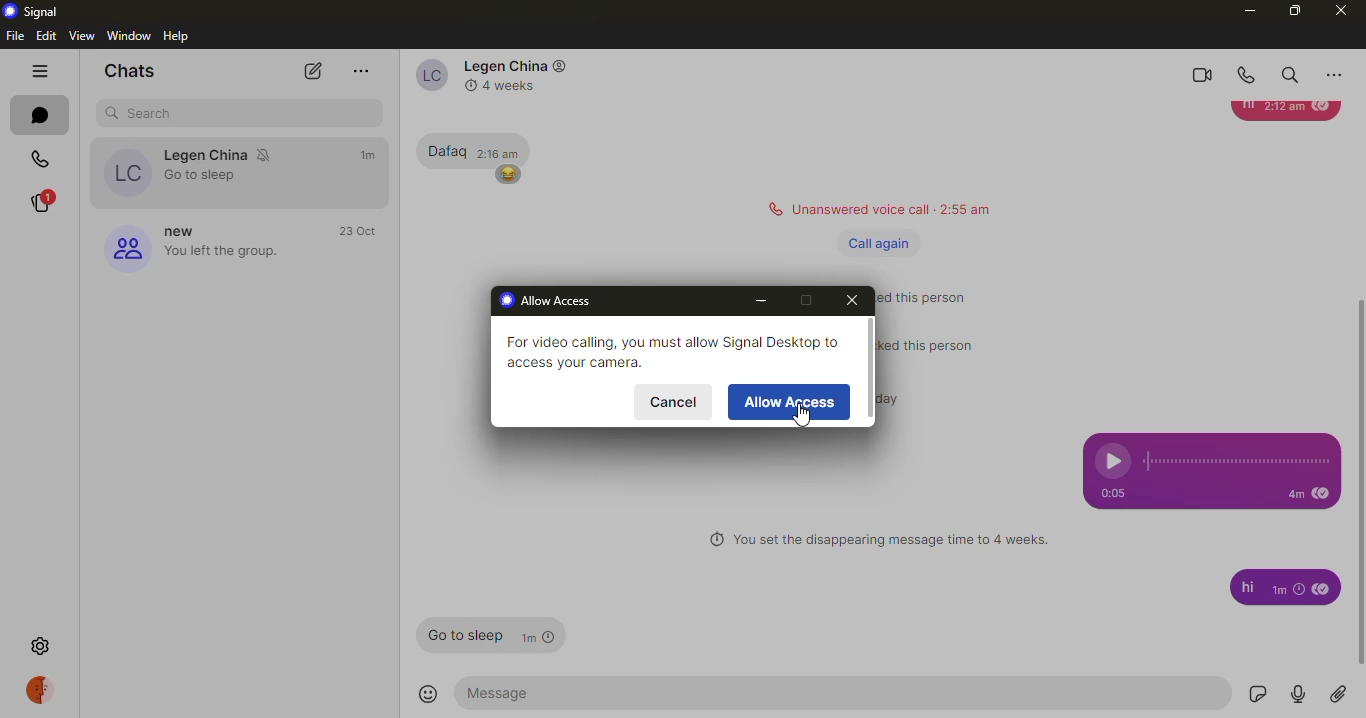 This screenshot has width=1366, height=718. I want to click on status message, so click(933, 344).